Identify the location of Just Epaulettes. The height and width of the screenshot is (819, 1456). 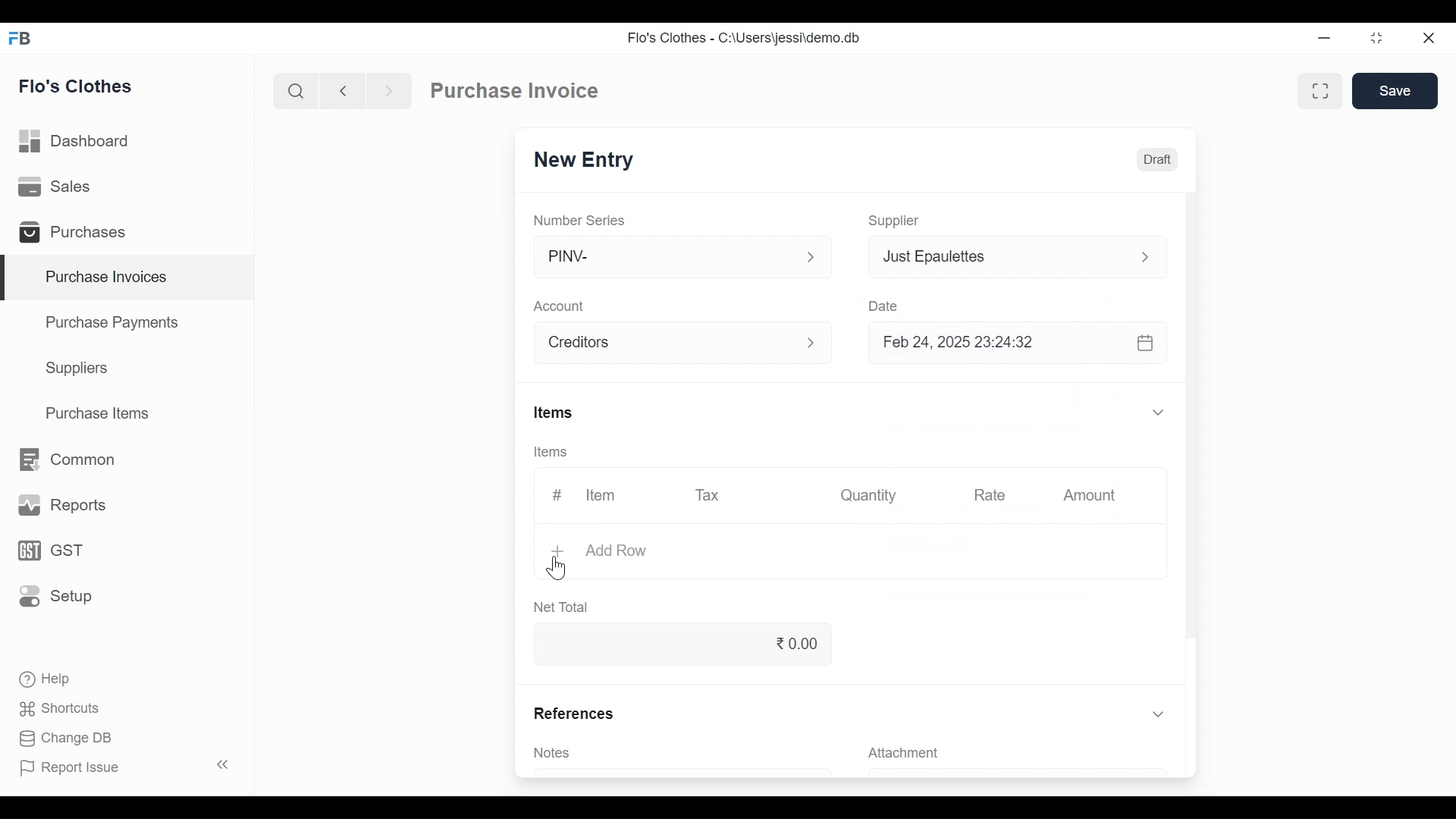
(999, 256).